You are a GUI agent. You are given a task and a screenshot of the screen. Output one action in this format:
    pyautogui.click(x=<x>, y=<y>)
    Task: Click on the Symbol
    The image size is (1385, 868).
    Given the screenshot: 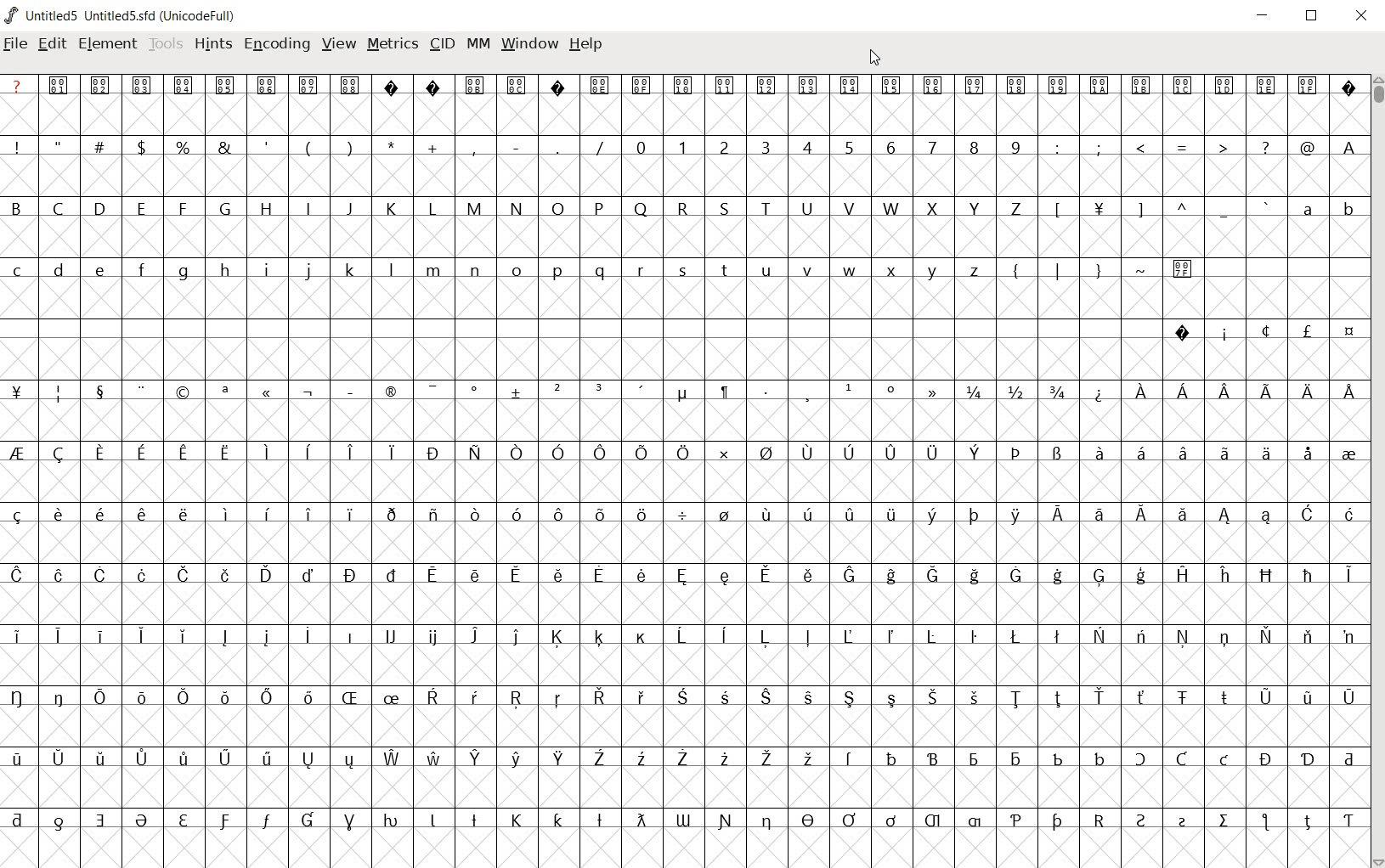 What is the action you would take?
    pyautogui.click(x=1348, y=697)
    